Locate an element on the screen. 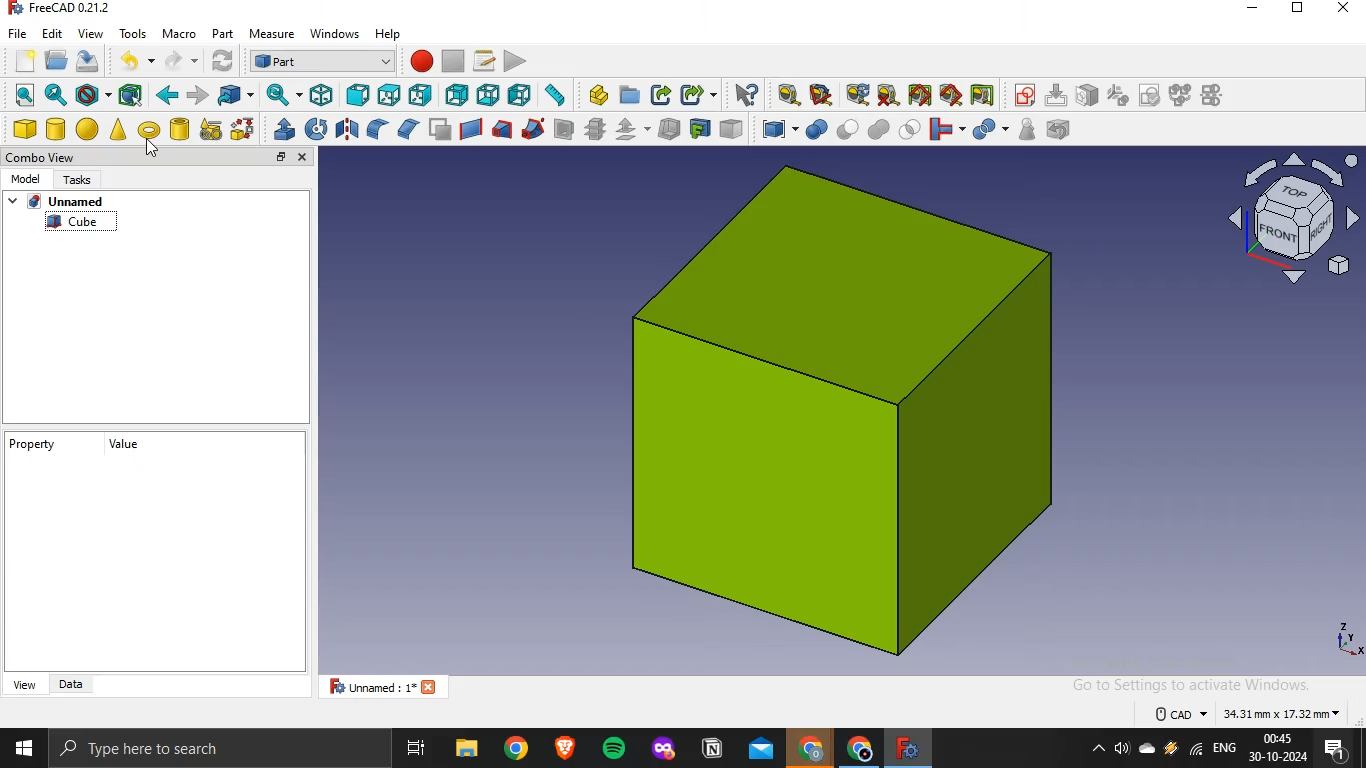 The width and height of the screenshot is (1366, 768). clear all is located at coordinates (889, 95).